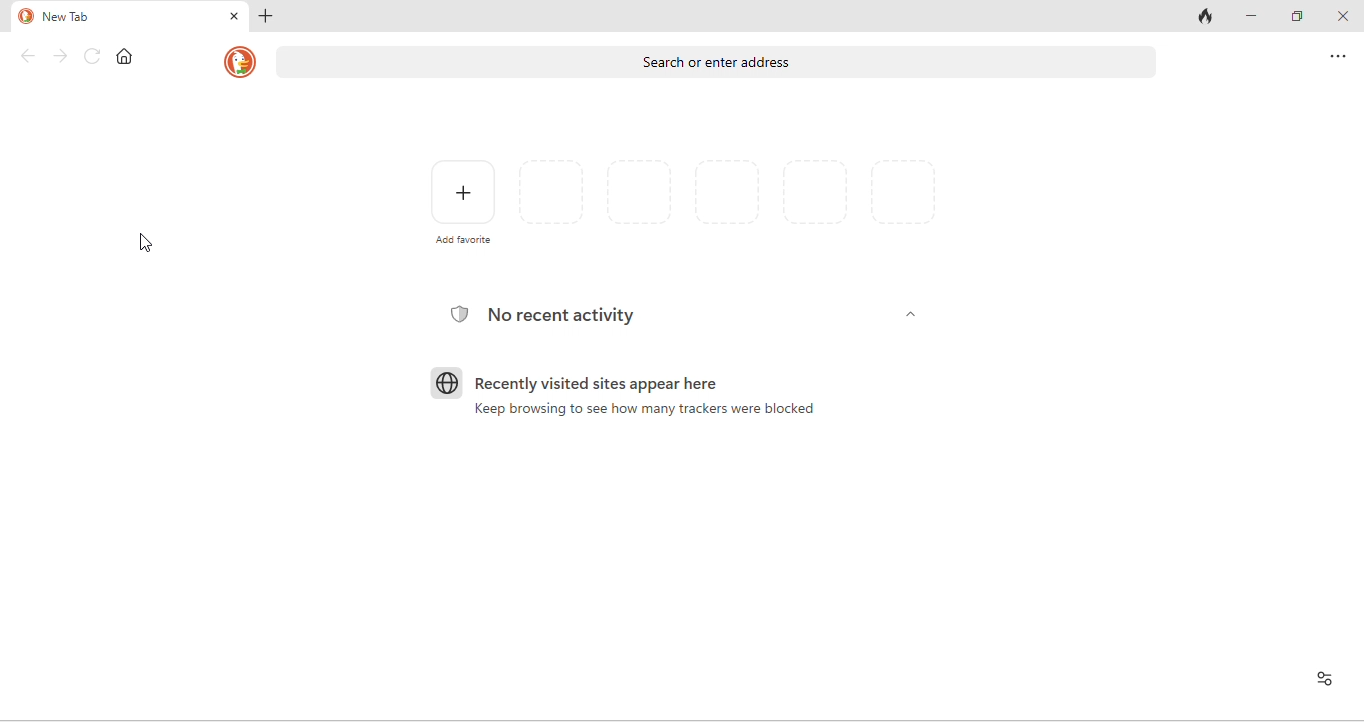 The image size is (1364, 722). I want to click on browser logo, so click(445, 383).